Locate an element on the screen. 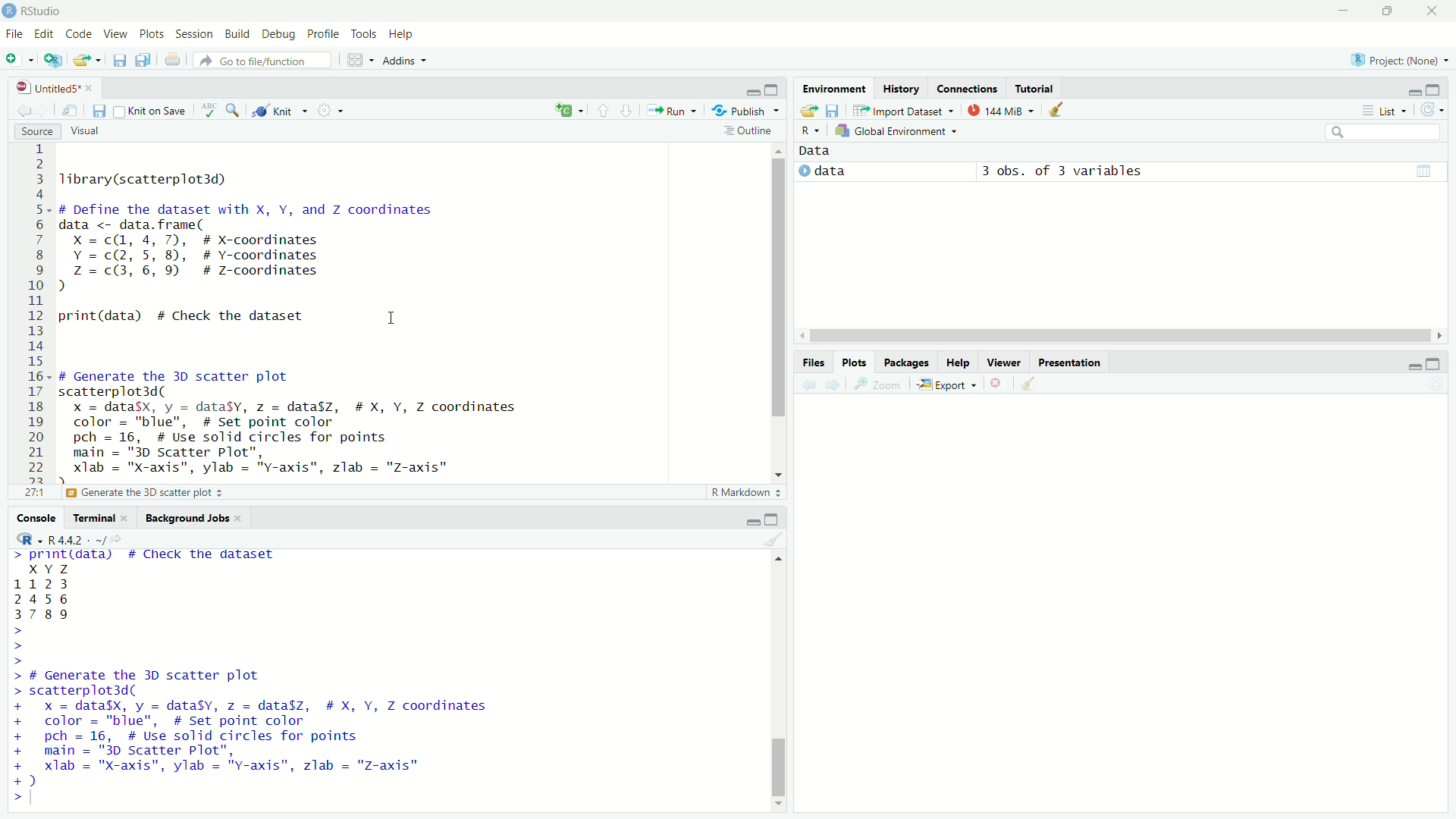 Image resolution: width=1456 pixels, height=819 pixels. Import Dataset is located at coordinates (905, 108).